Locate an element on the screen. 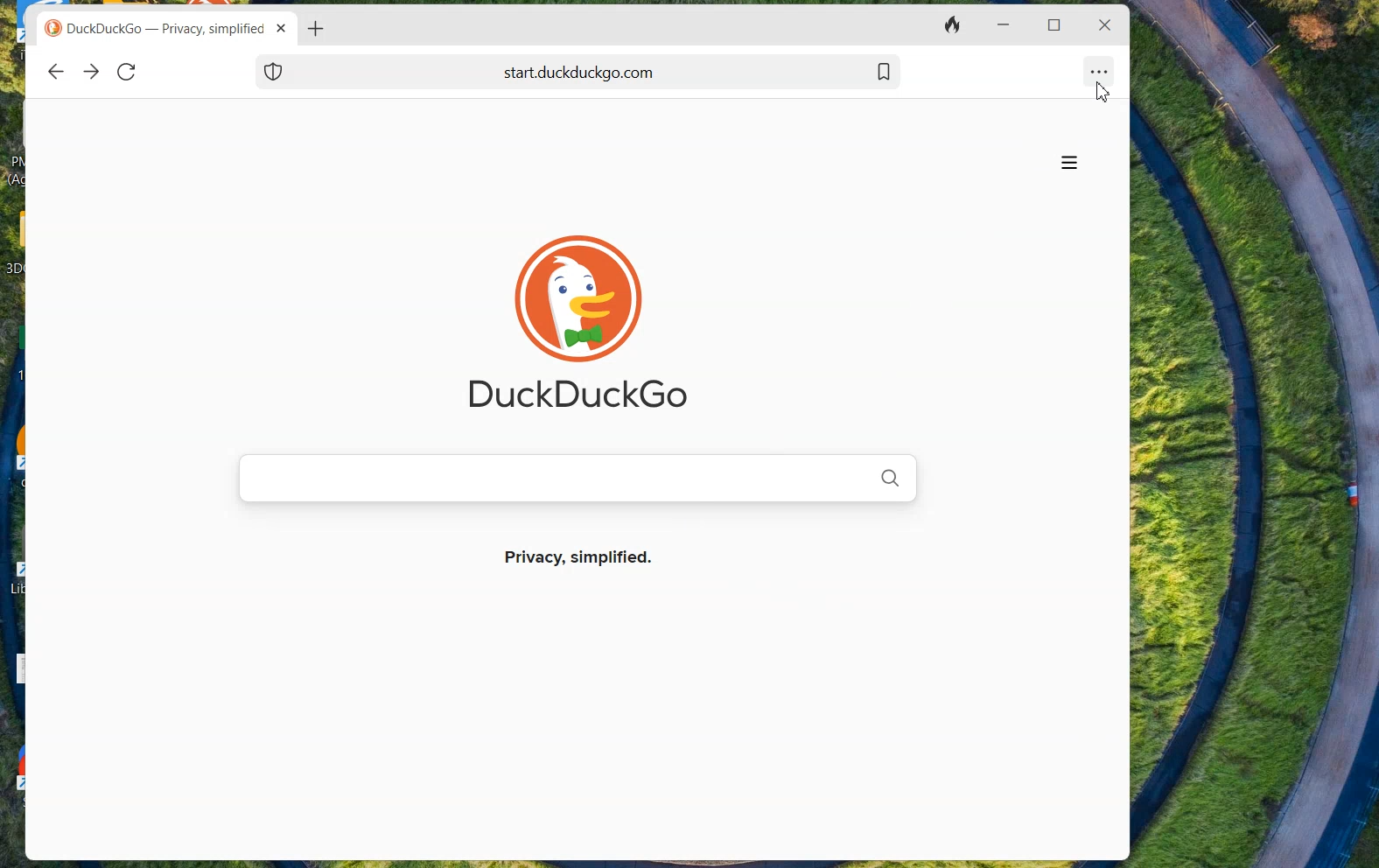  Privacy, simplified. is located at coordinates (608, 565).